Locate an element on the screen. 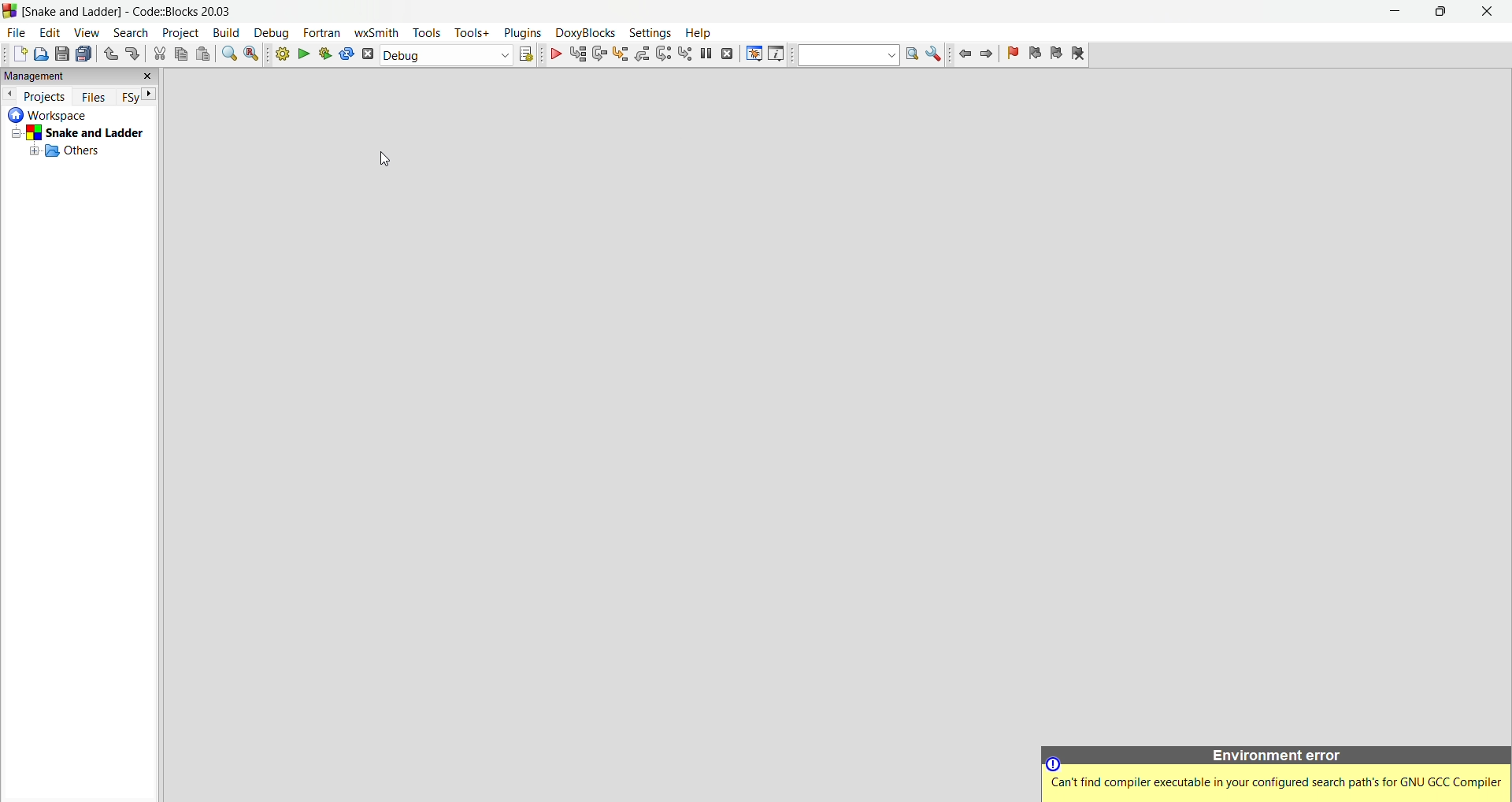 The width and height of the screenshot is (1512, 802). undo is located at coordinates (109, 54).